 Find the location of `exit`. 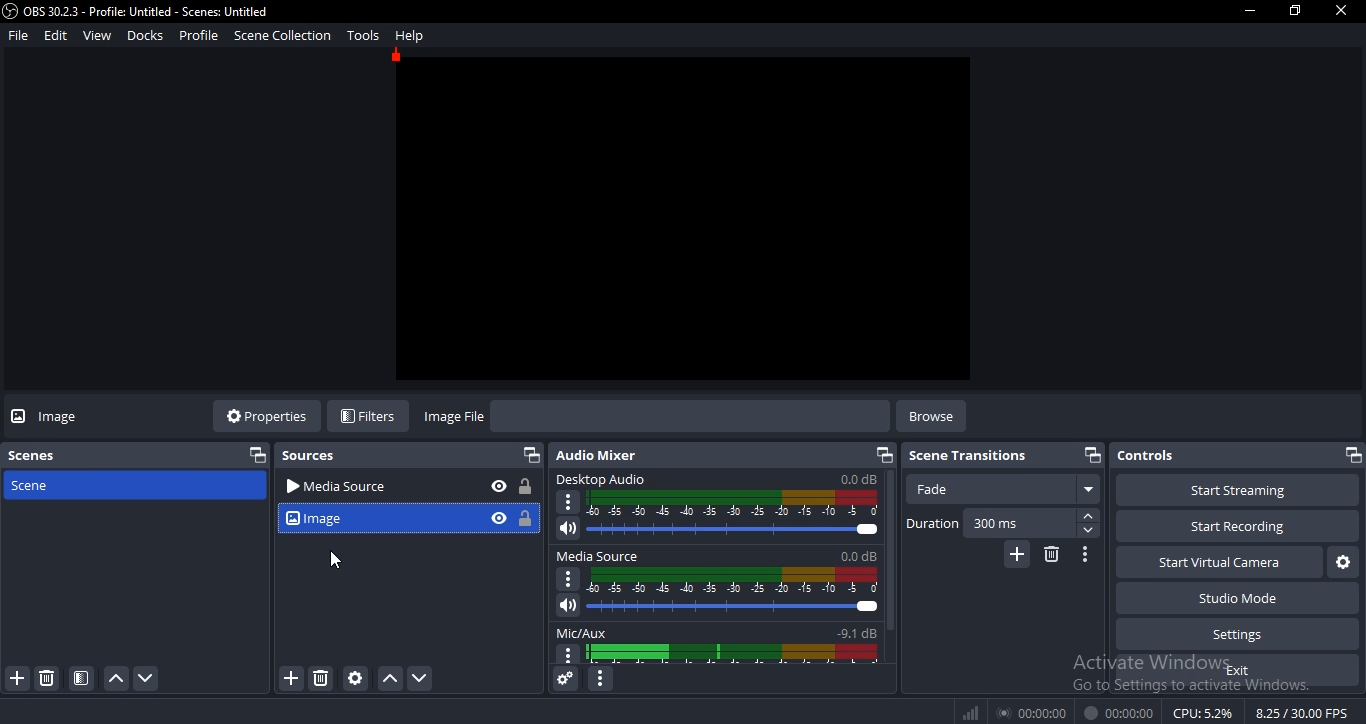

exit is located at coordinates (1240, 672).